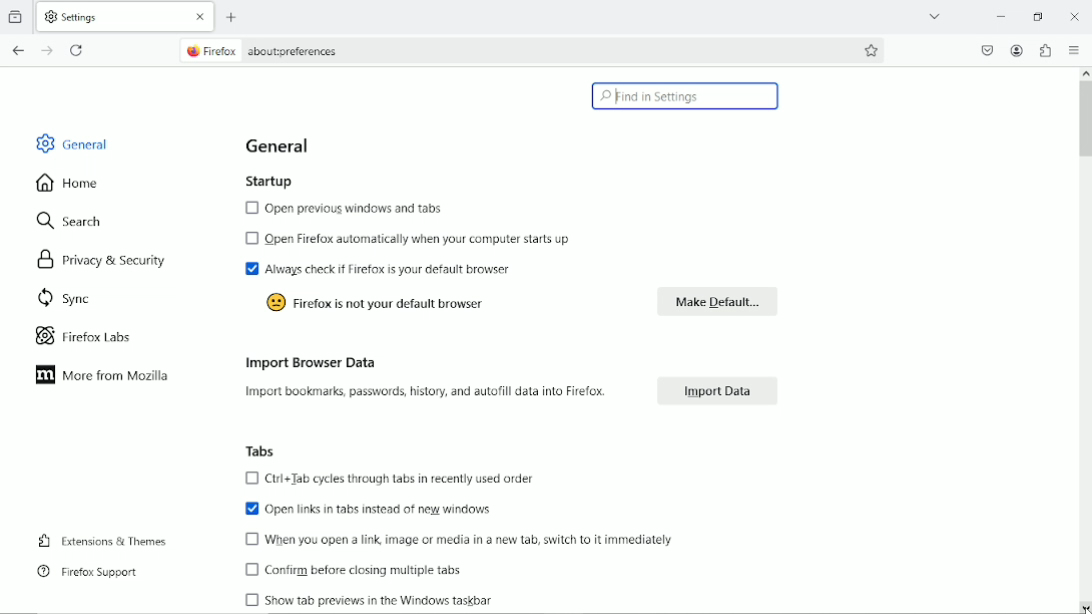 This screenshot has height=614, width=1092. Describe the element at coordinates (103, 380) in the screenshot. I see `More from mozilla` at that location.